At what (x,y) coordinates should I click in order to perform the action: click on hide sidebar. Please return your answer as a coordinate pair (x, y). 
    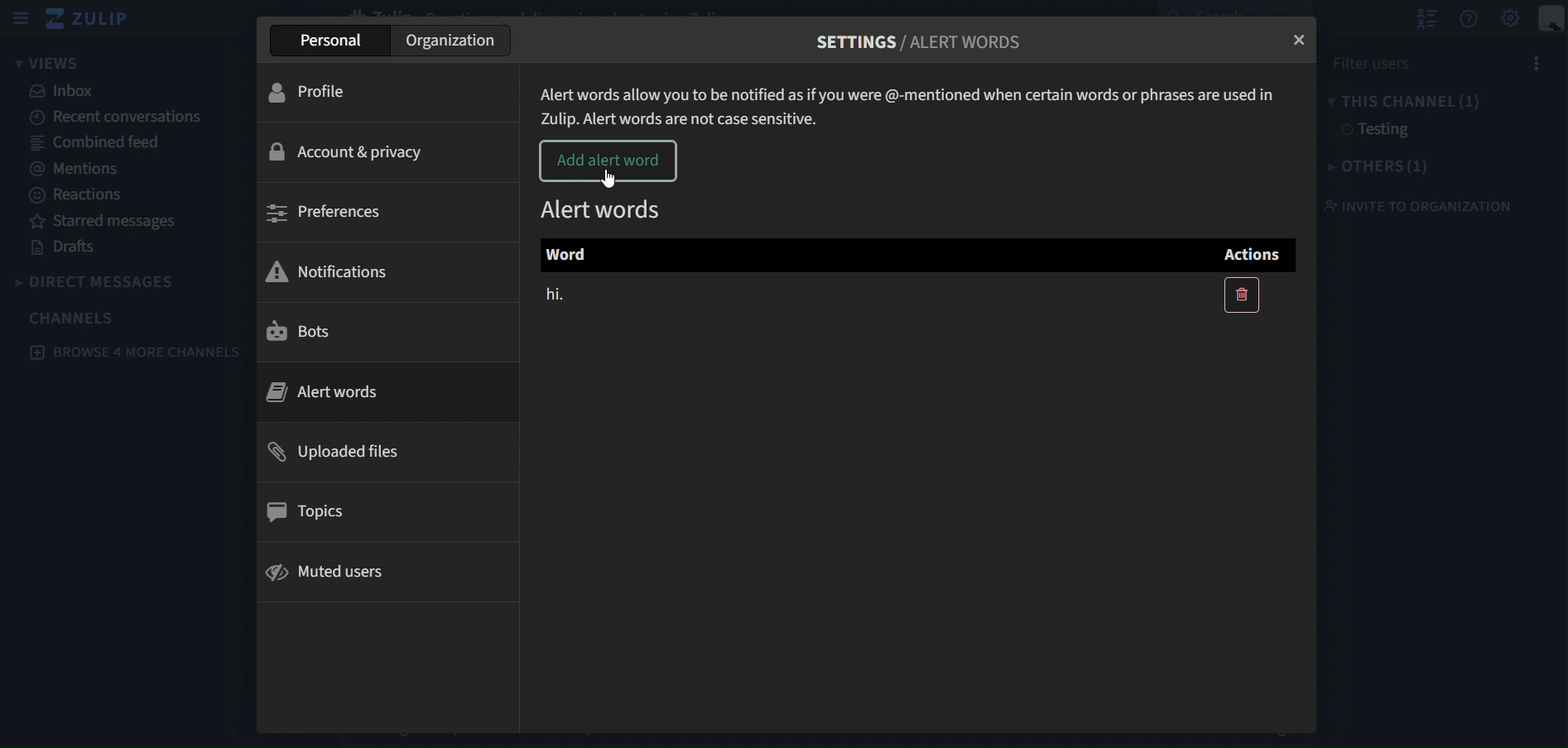
    Looking at the image, I should click on (22, 21).